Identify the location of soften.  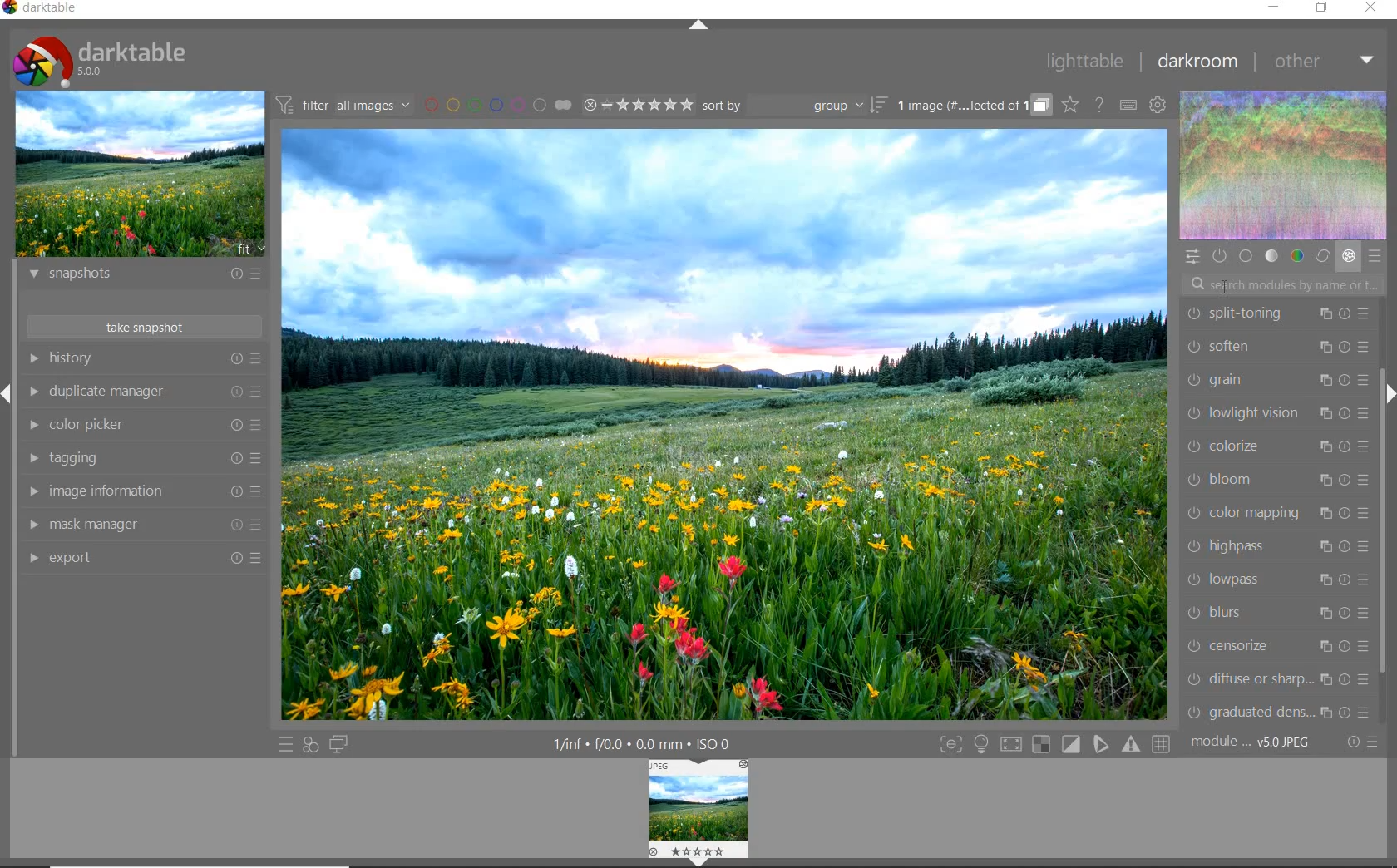
(1276, 346).